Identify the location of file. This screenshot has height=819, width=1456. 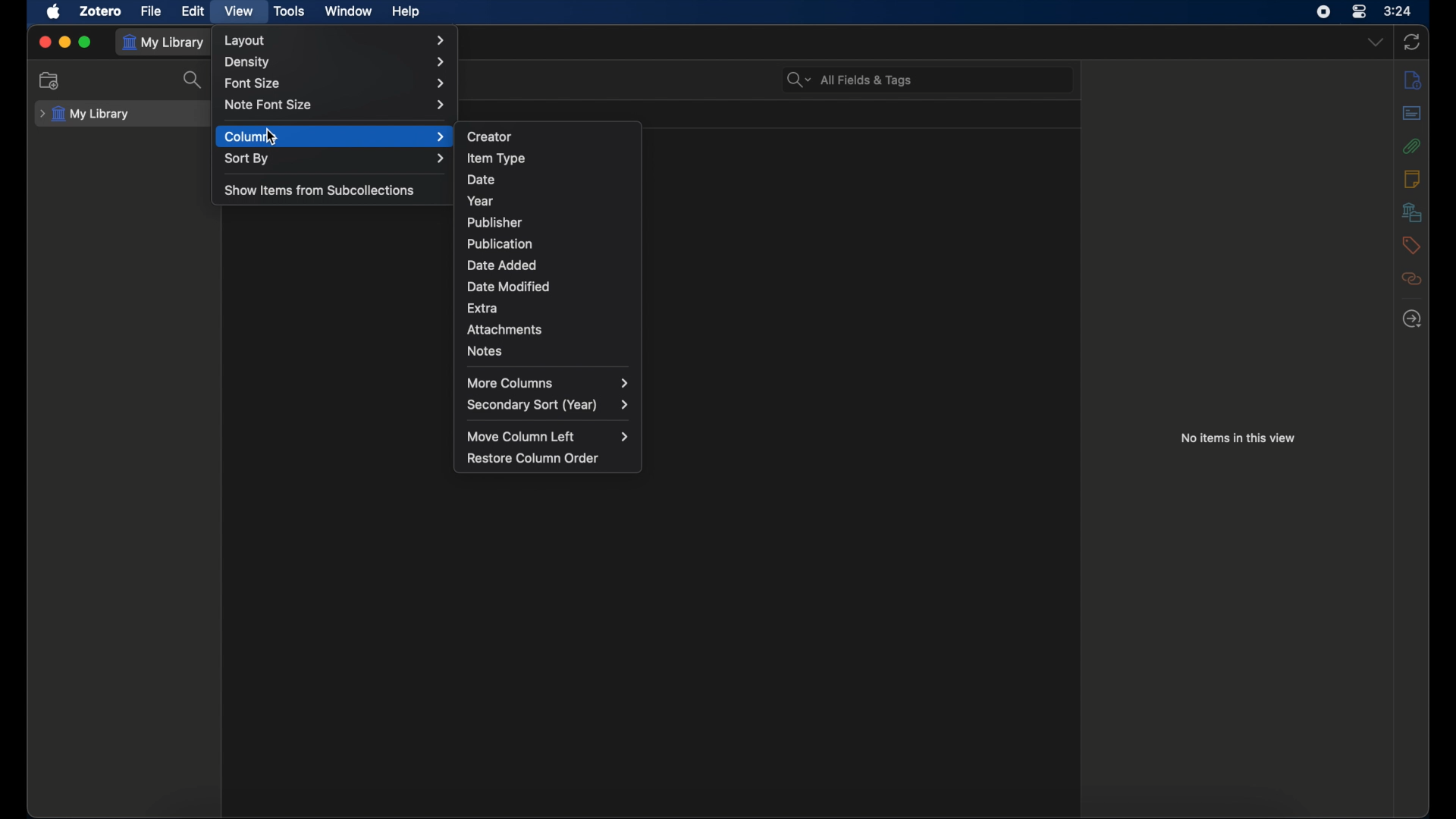
(152, 12).